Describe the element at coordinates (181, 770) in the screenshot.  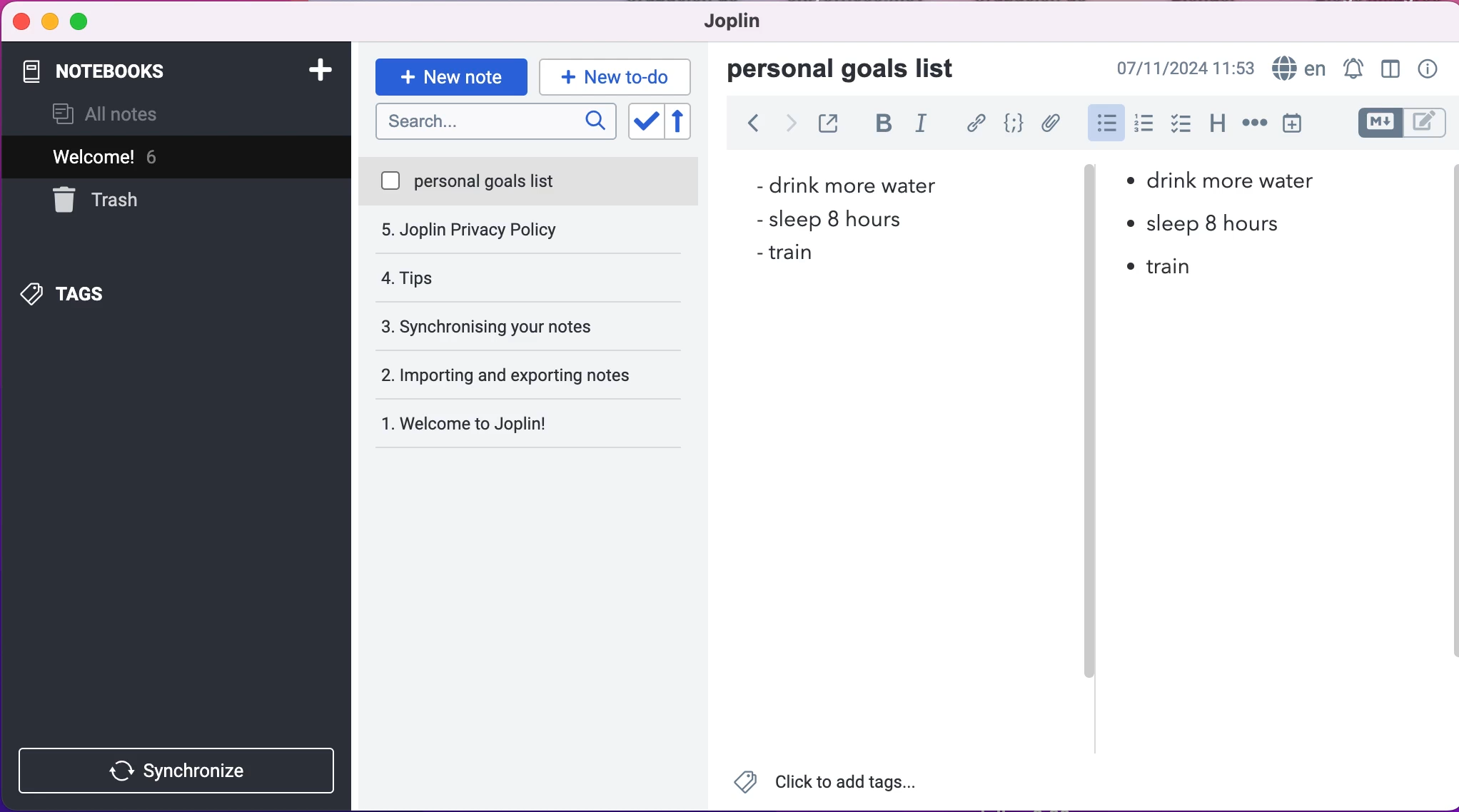
I see `synchronize` at that location.